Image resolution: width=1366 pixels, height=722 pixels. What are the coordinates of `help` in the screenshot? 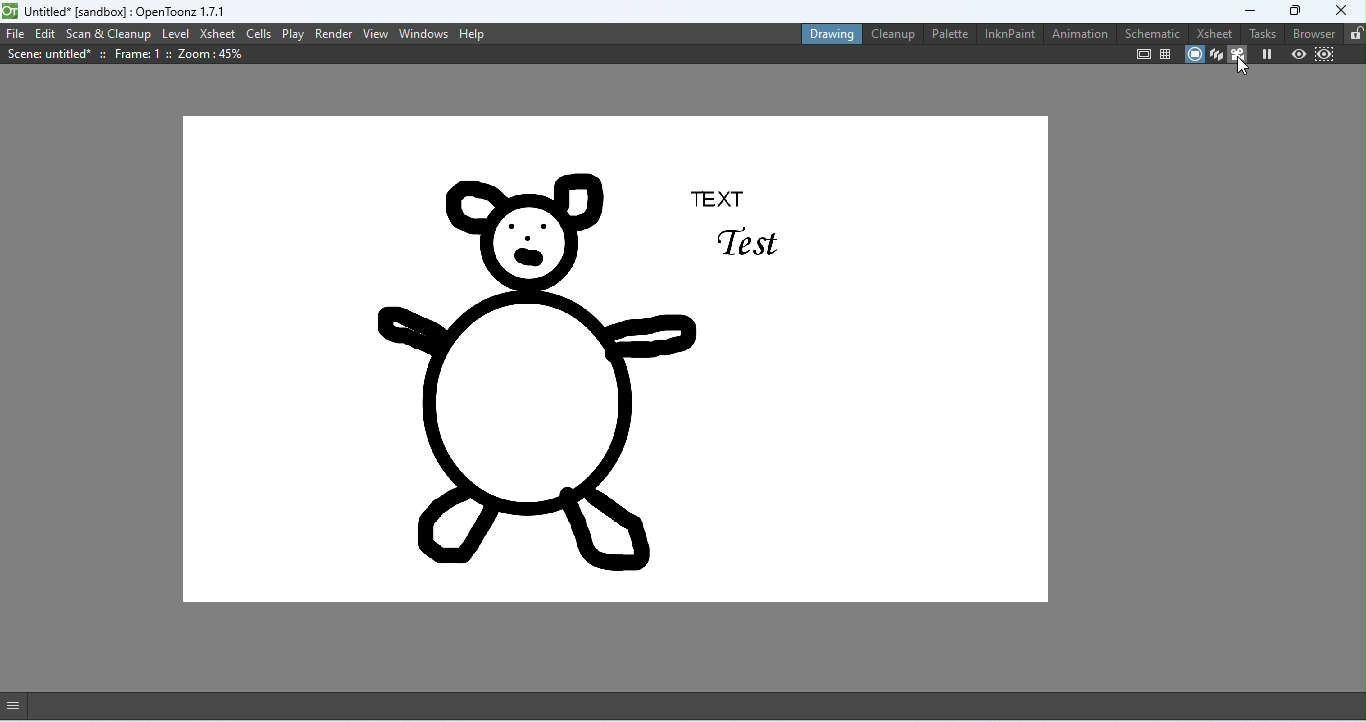 It's located at (472, 33).